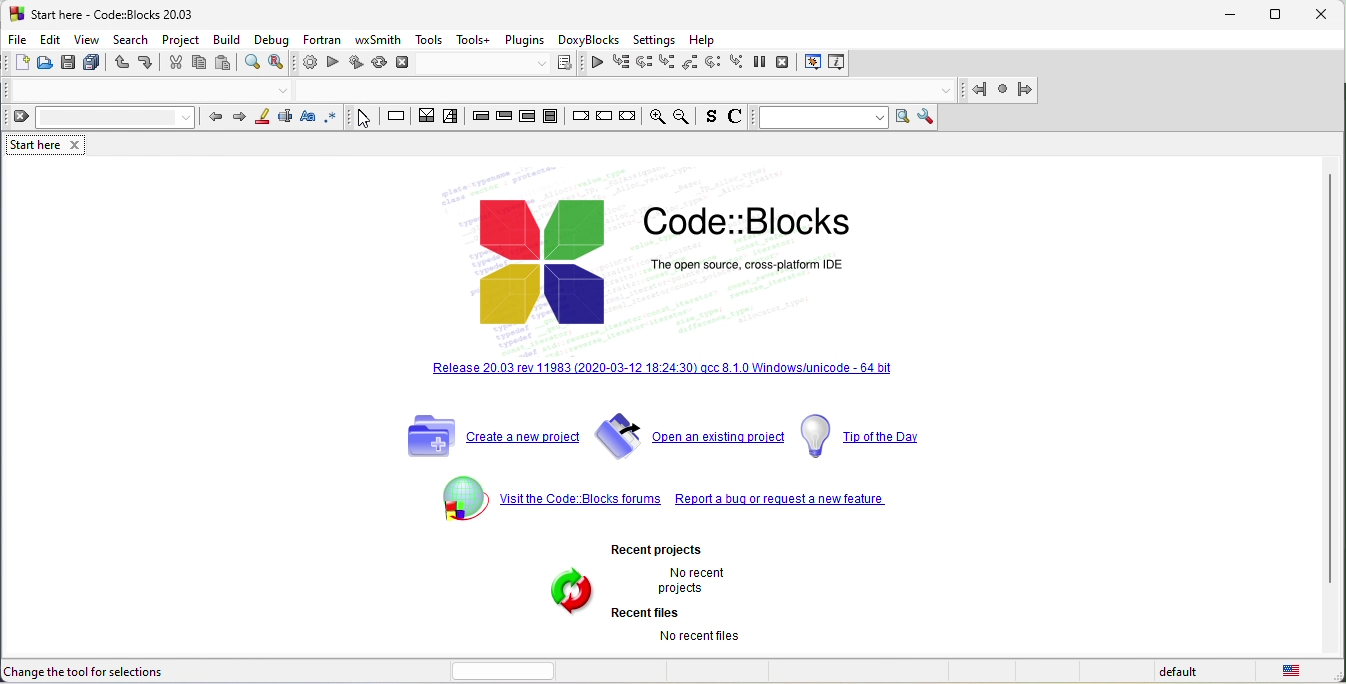 Image resolution: width=1346 pixels, height=684 pixels. I want to click on zoom out, so click(683, 117).